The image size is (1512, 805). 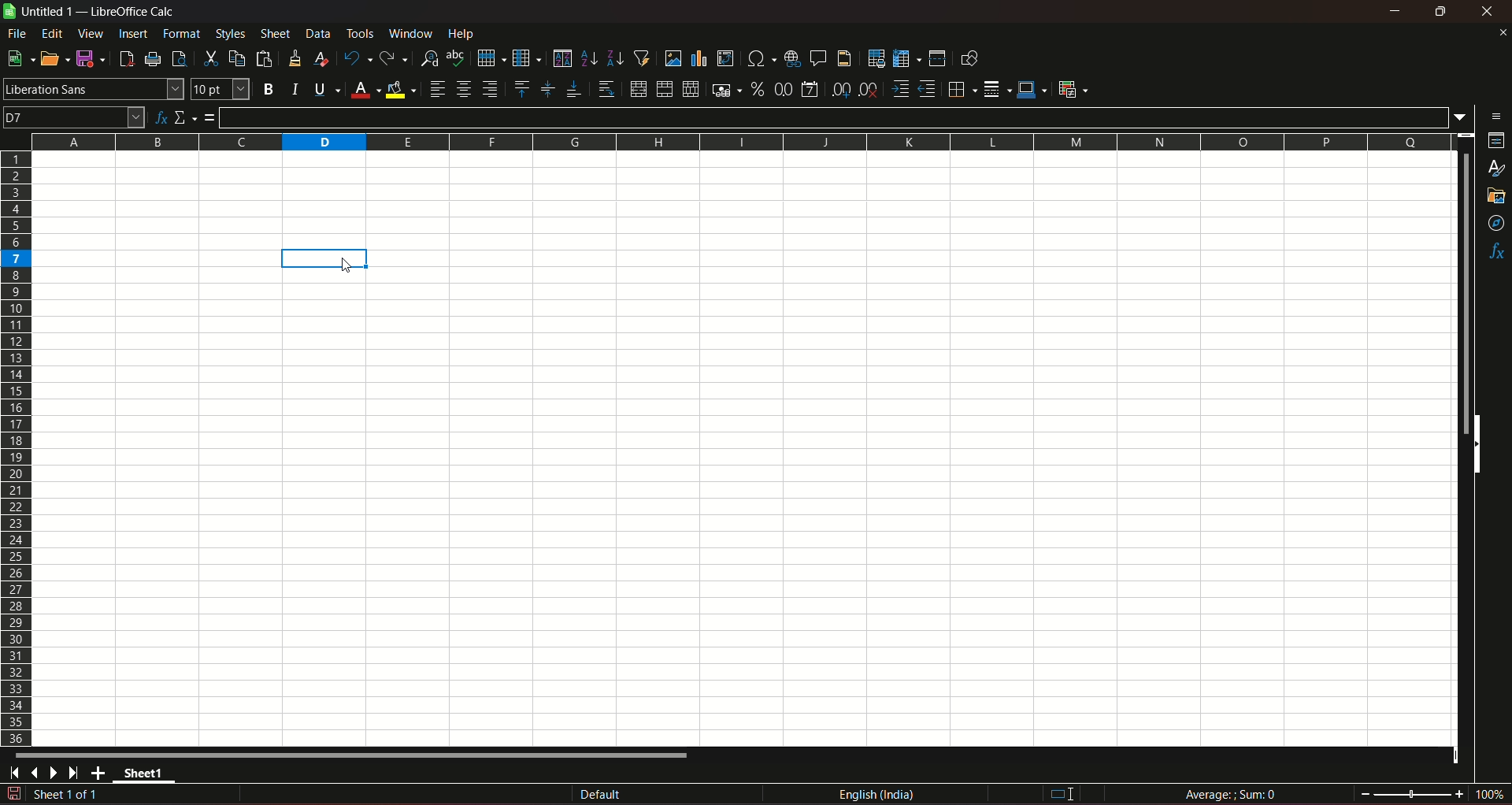 I want to click on insert chart, so click(x=699, y=59).